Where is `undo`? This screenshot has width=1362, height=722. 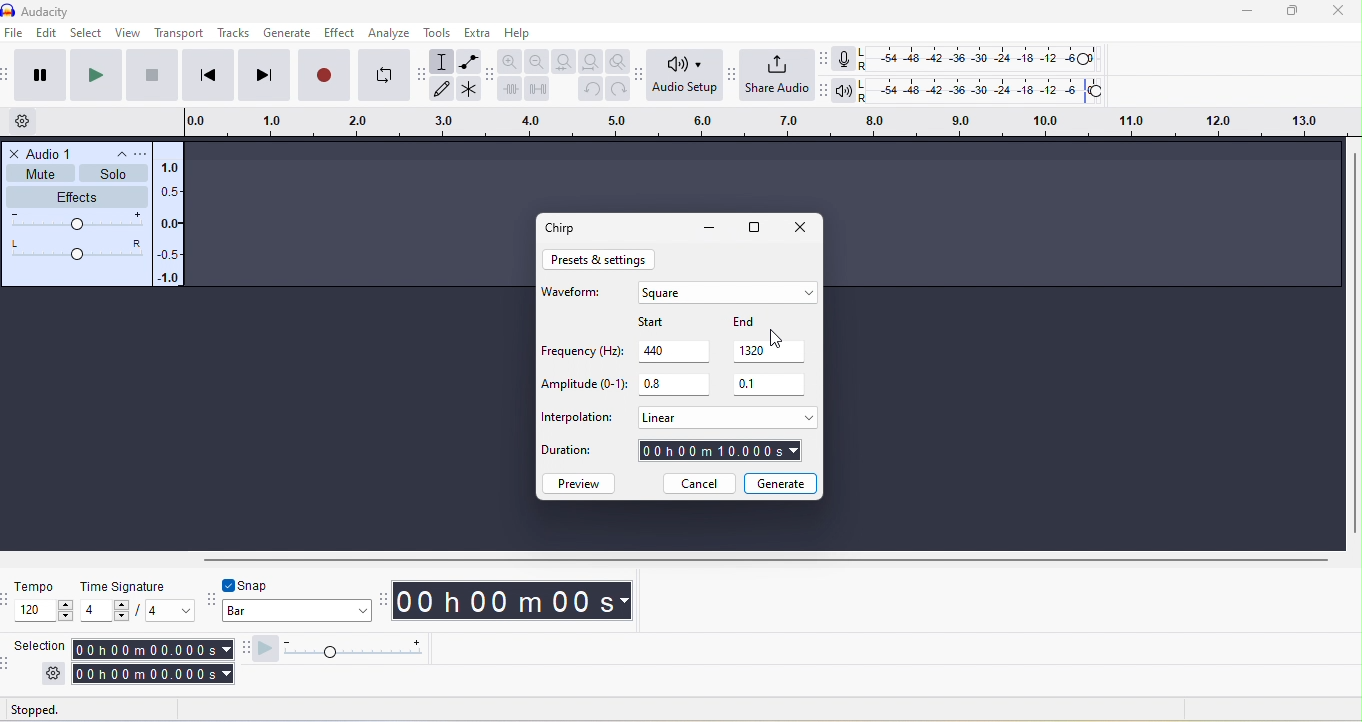
undo is located at coordinates (589, 90).